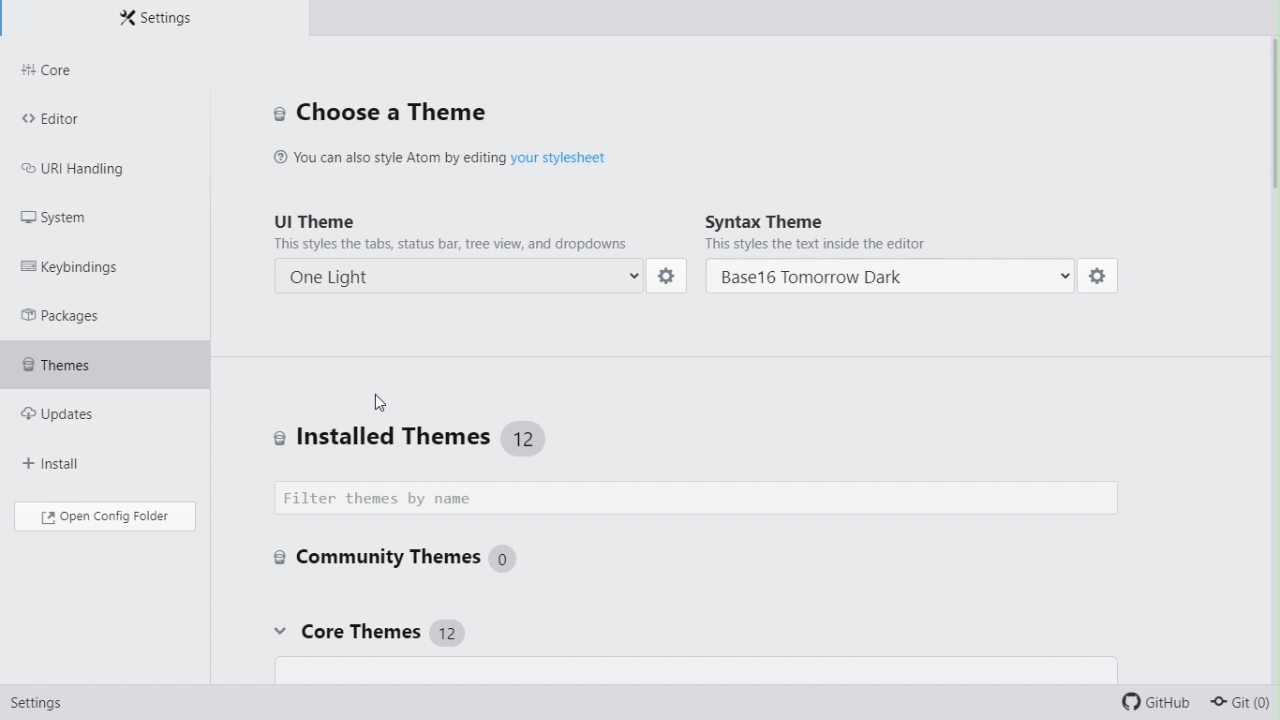  I want to click on Install, so click(56, 464).